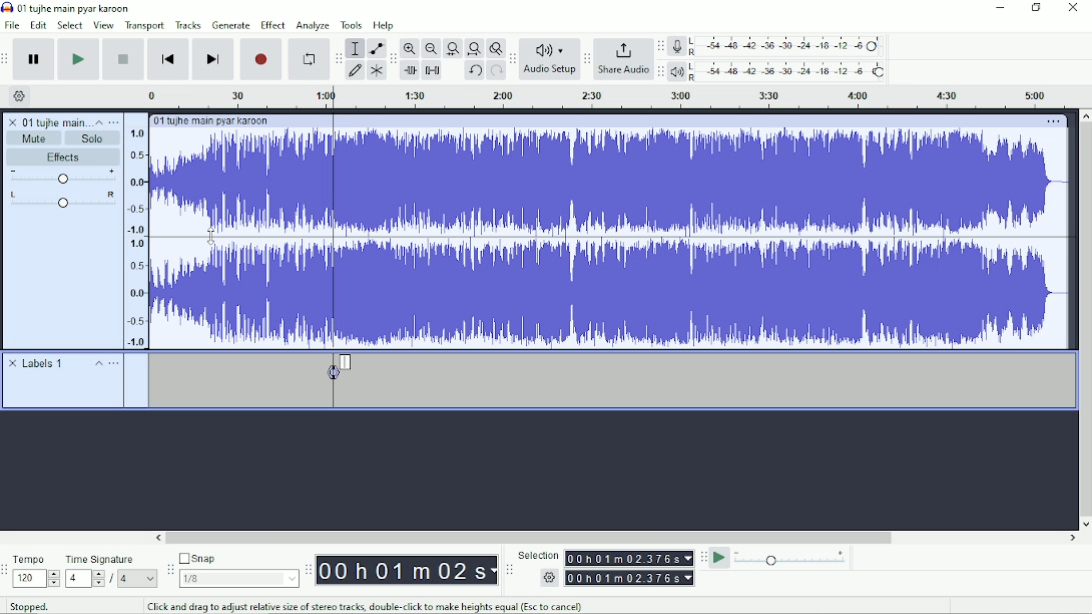 The image size is (1092, 614). I want to click on Title, so click(67, 8).